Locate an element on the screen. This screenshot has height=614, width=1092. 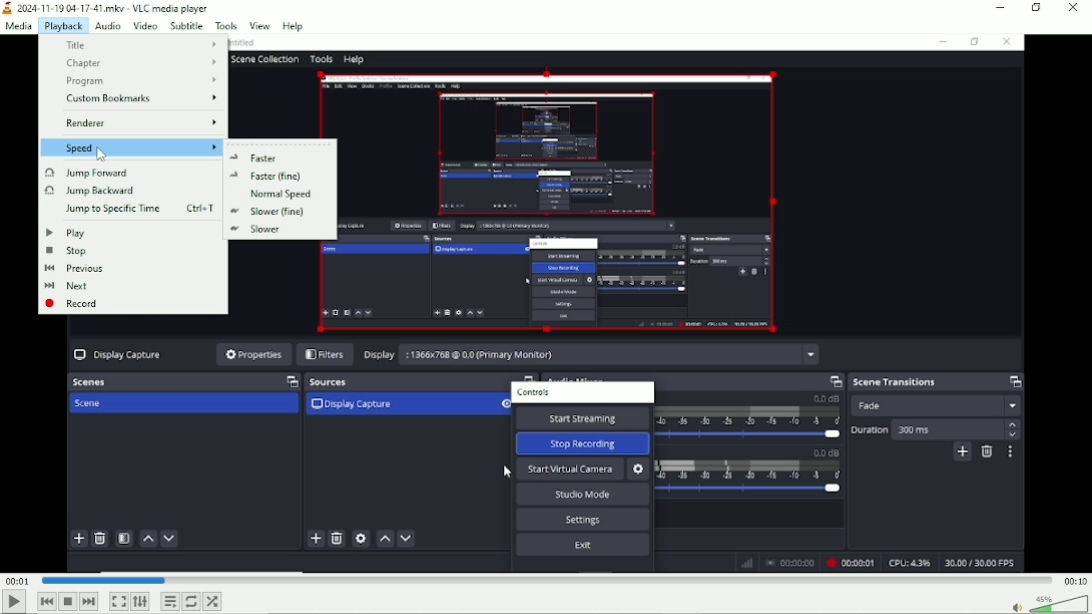
jump to specific time is located at coordinates (132, 208).